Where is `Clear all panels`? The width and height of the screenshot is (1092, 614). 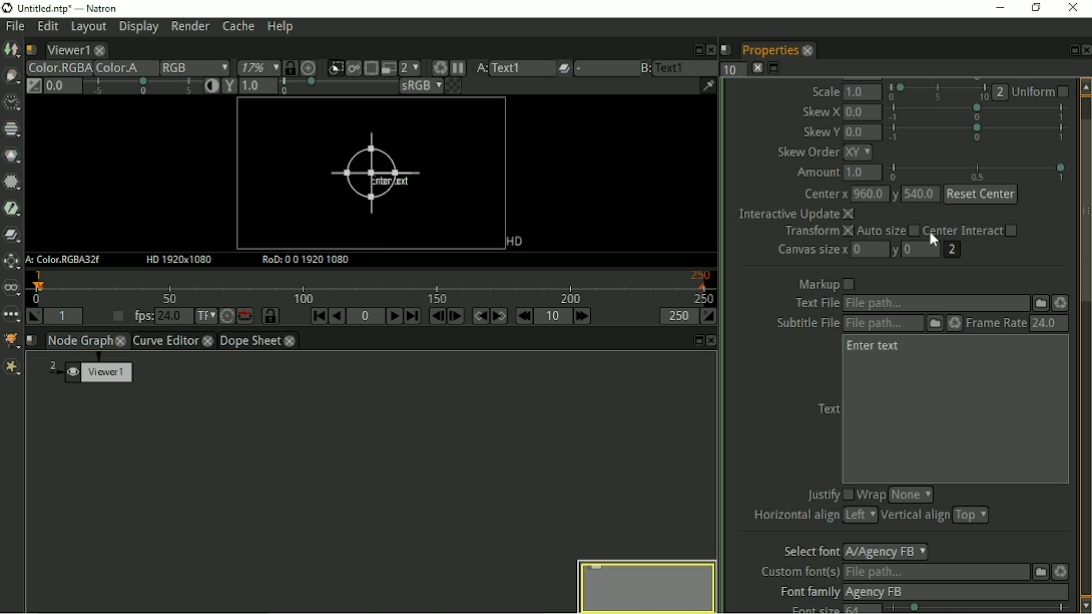
Clear all panels is located at coordinates (757, 68).